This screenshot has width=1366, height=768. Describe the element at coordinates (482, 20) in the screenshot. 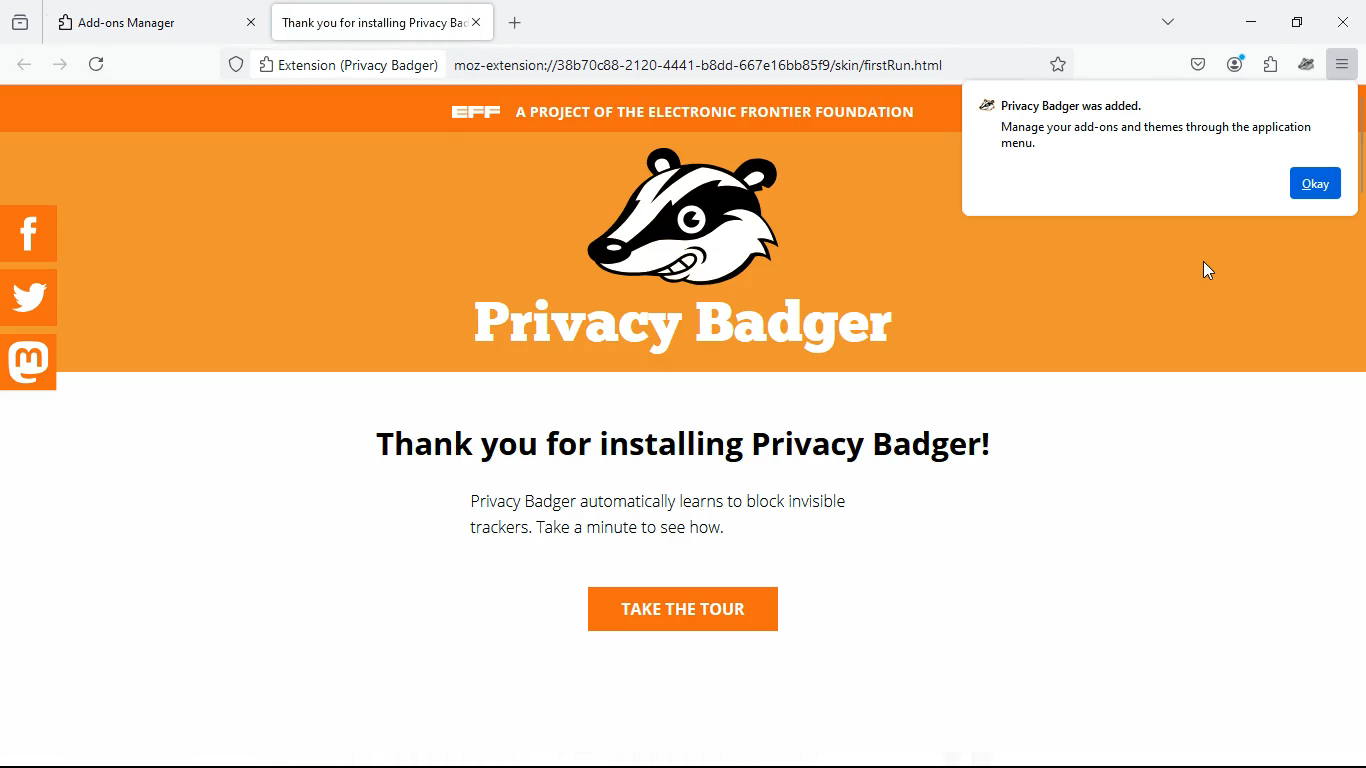

I see `Close tab` at that location.